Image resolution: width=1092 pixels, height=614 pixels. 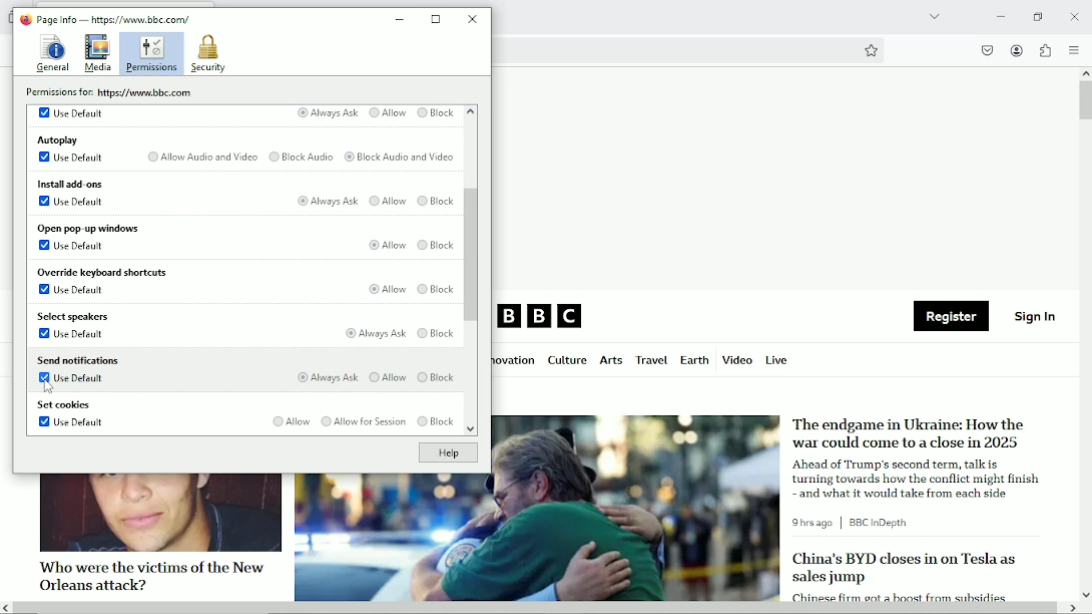 I want to click on Travel, so click(x=649, y=360).